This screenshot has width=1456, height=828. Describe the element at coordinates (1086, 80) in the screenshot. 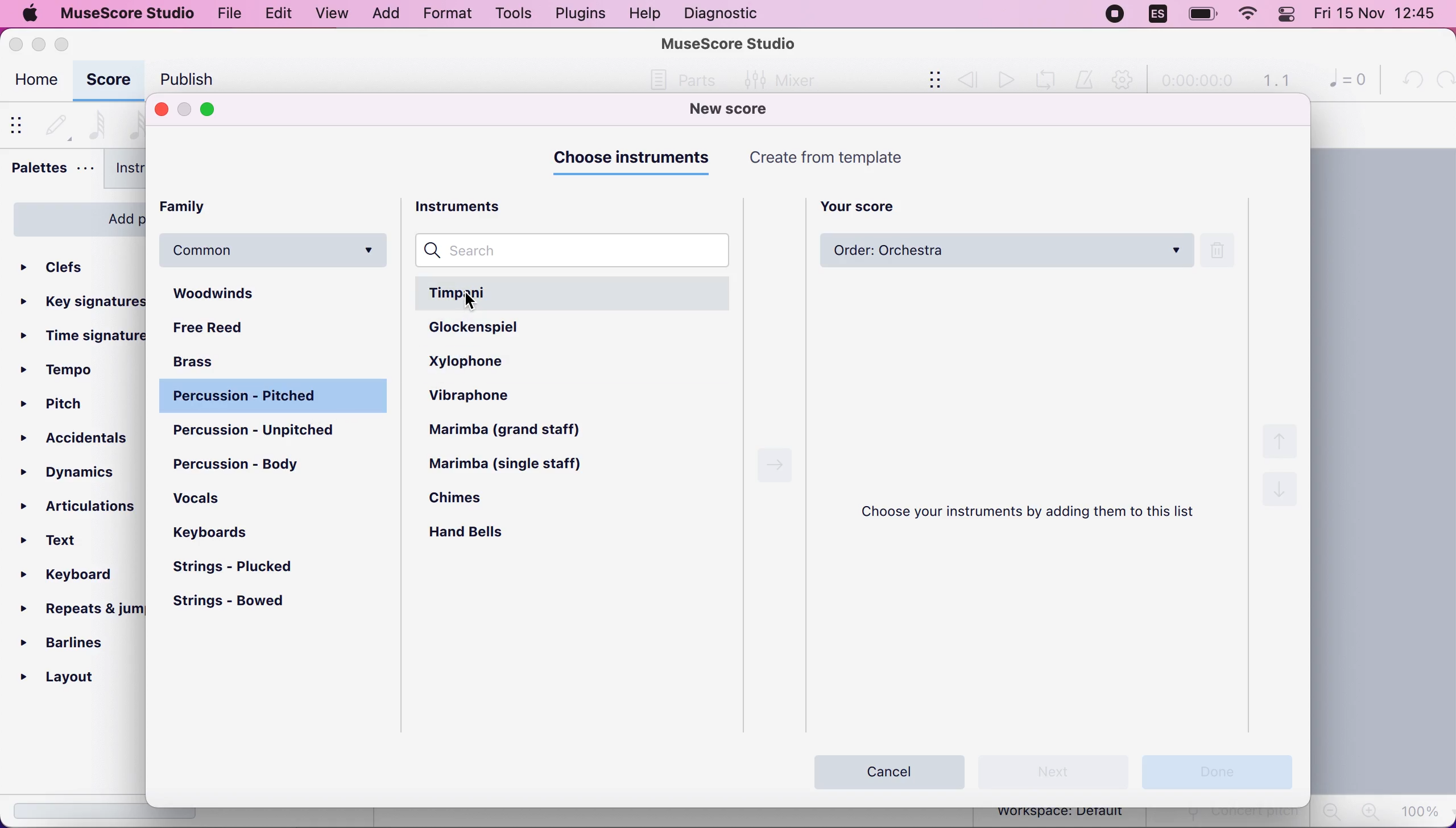

I see `metronome` at that location.